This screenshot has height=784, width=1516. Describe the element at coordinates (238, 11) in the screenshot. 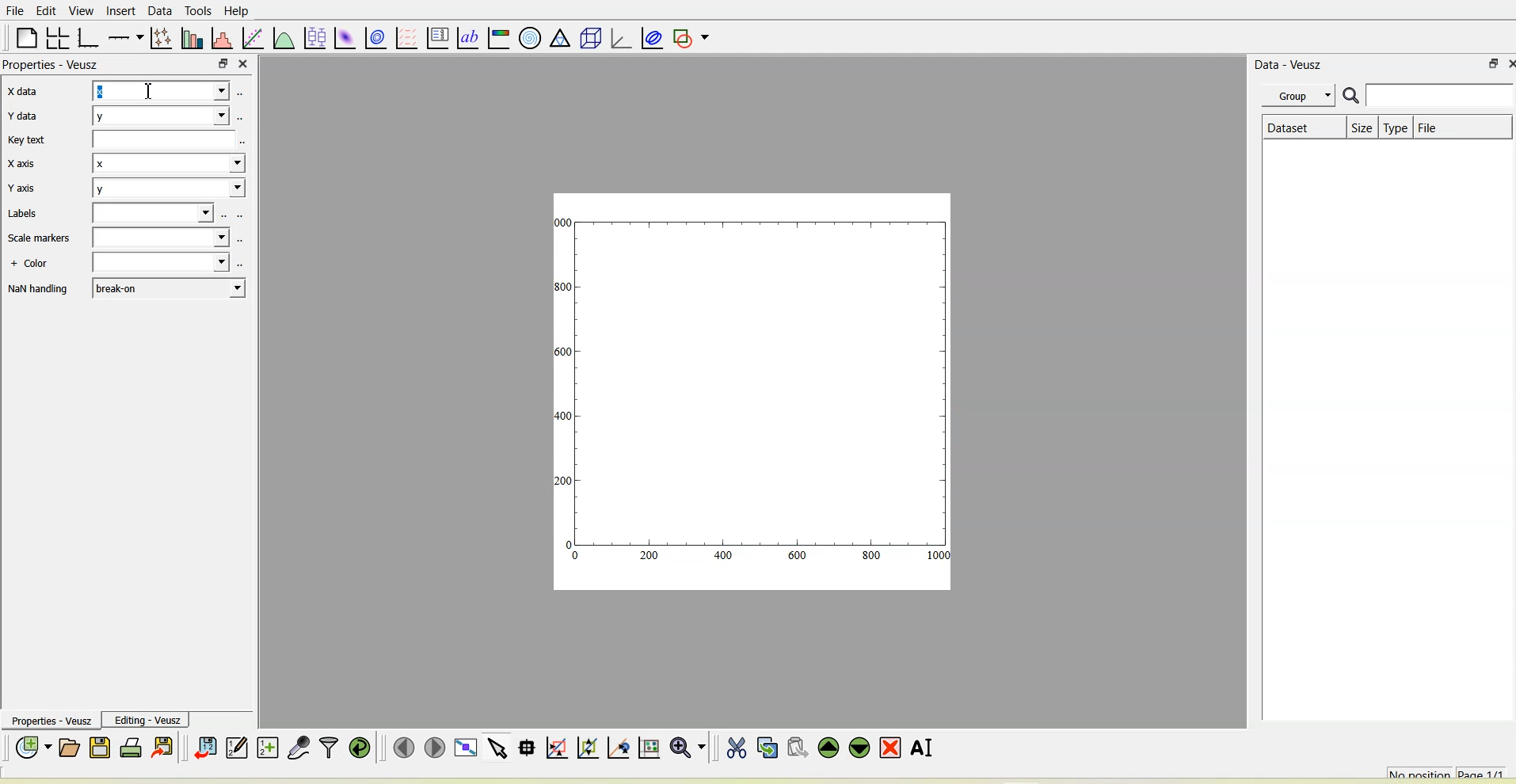

I see `Help` at that location.